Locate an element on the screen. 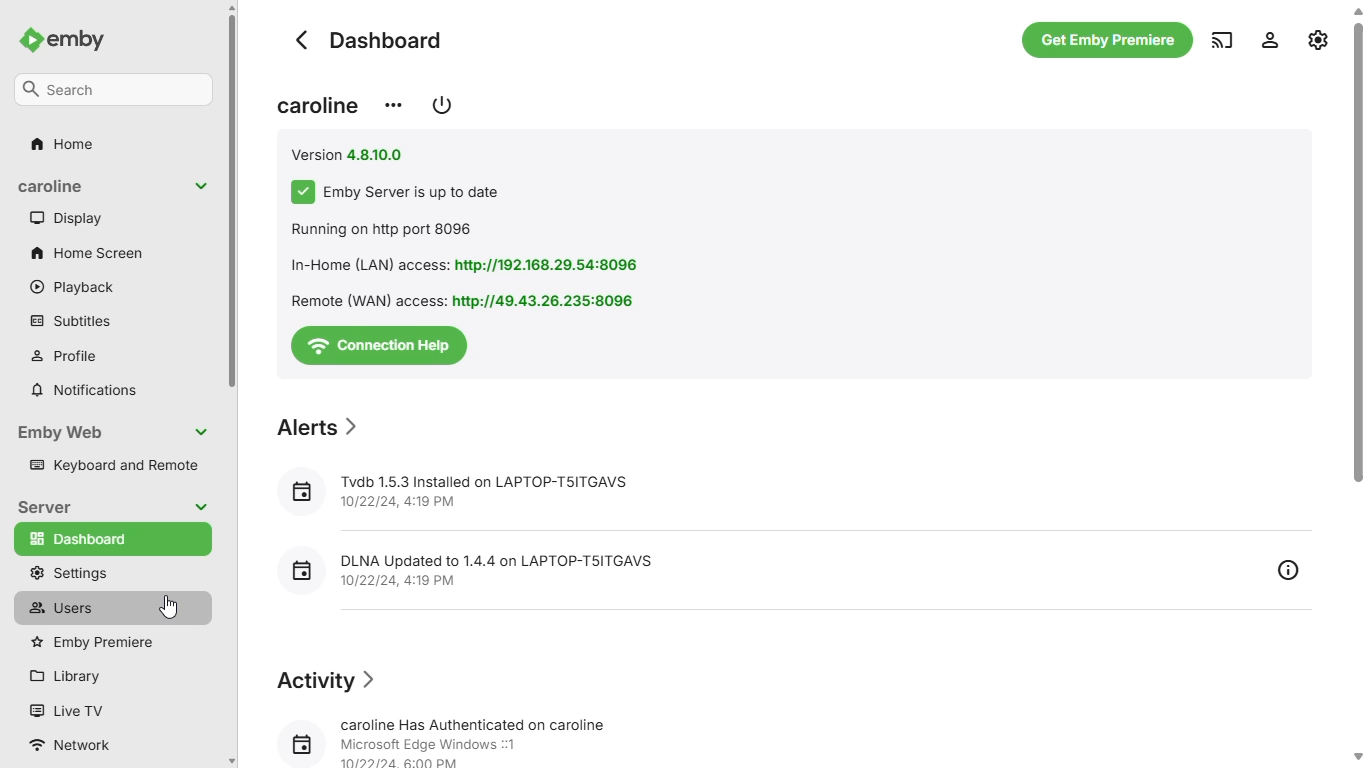 This screenshot has width=1366, height=768. restart / shutdown emby server is located at coordinates (442, 106).